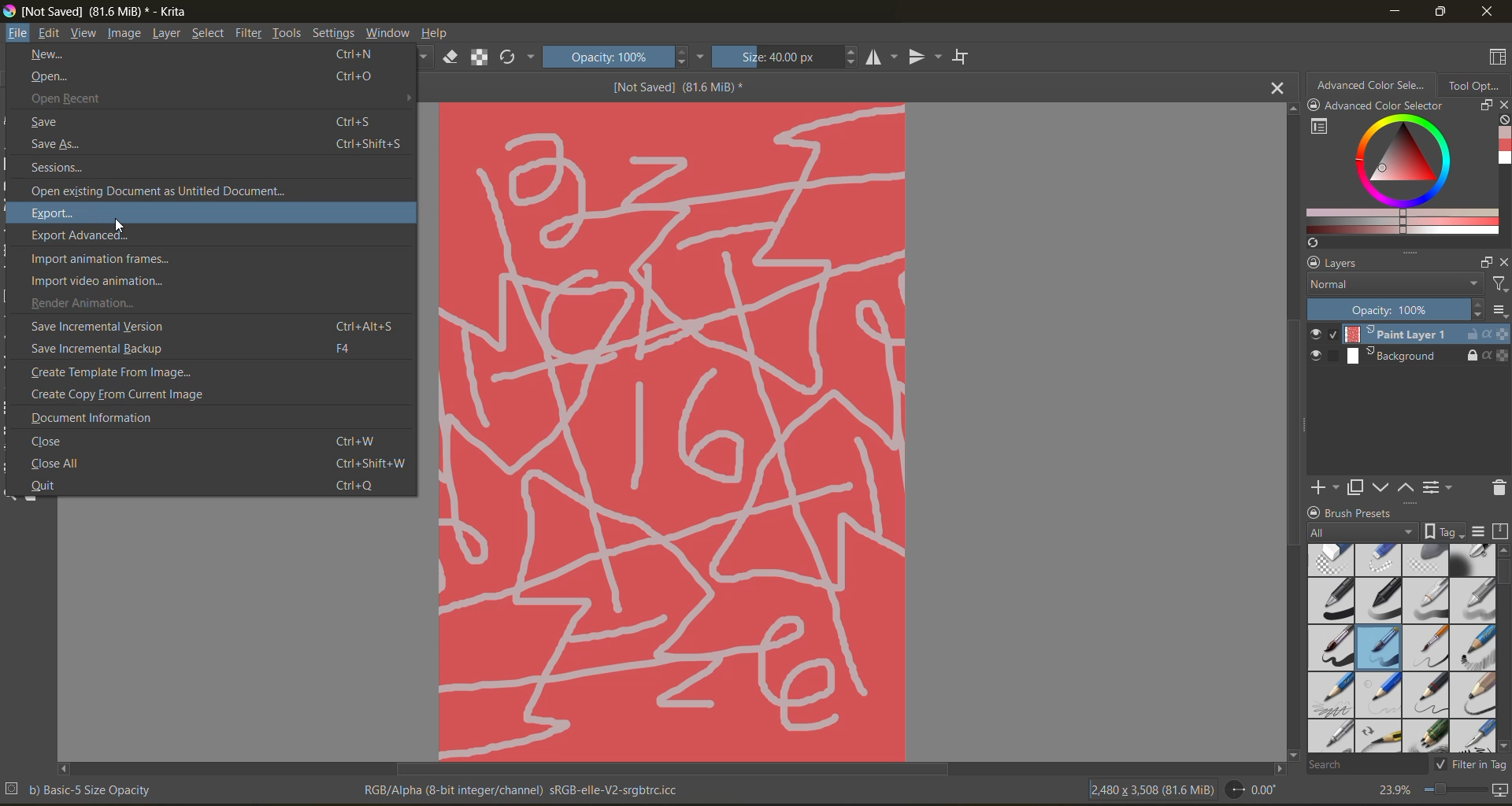 This screenshot has width=1512, height=806. Describe the element at coordinates (1503, 532) in the screenshot. I see `storage resources` at that location.